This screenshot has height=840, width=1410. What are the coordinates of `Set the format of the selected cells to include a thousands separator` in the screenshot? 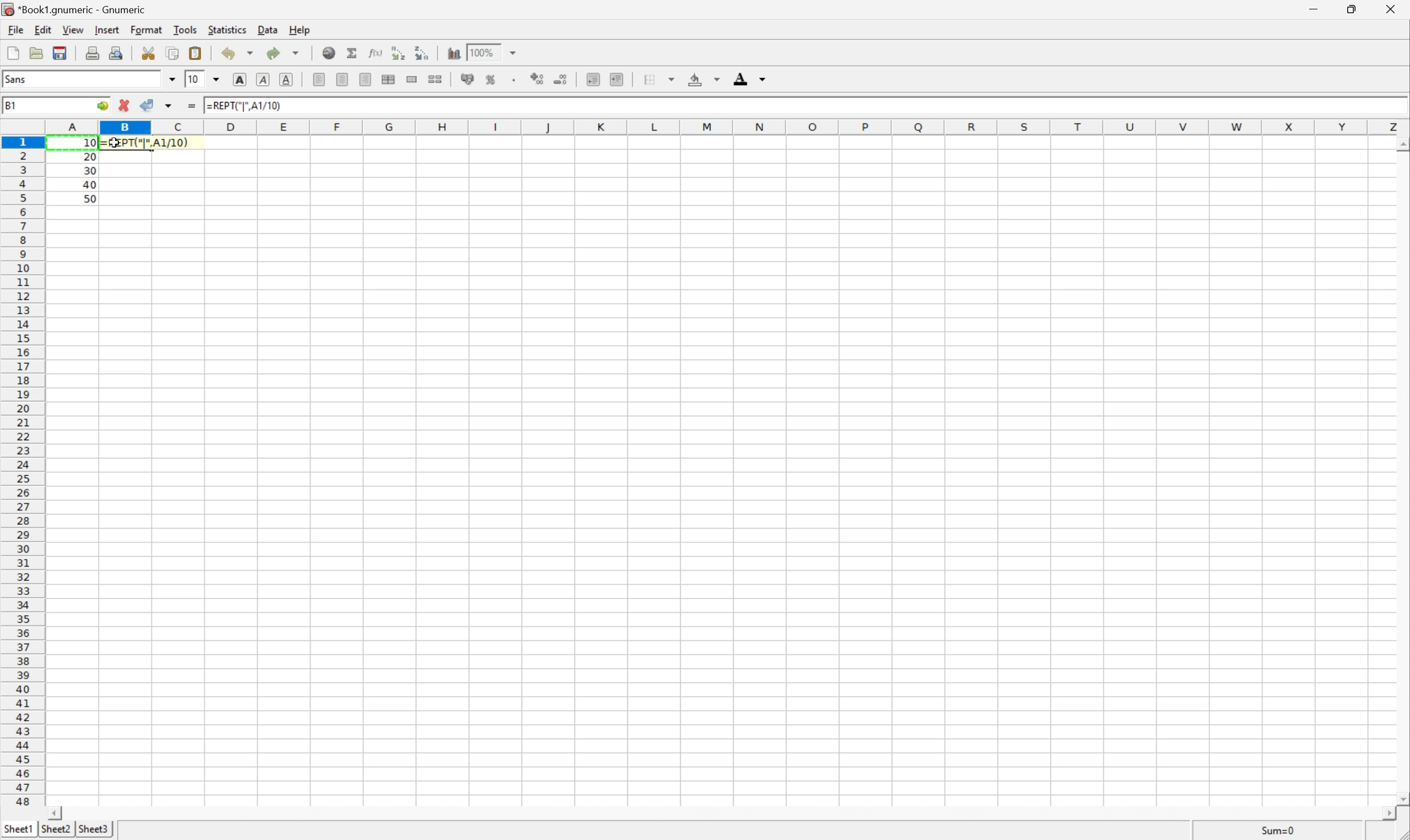 It's located at (510, 80).